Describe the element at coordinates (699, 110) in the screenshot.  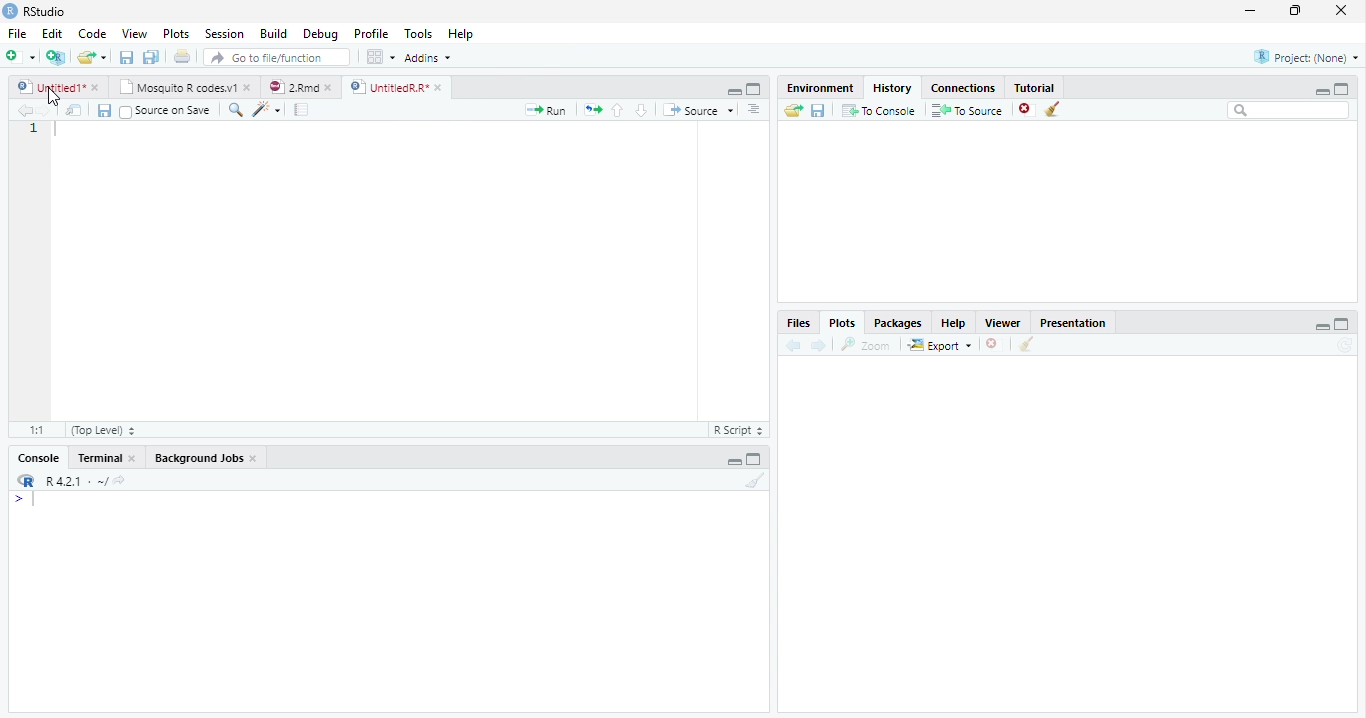
I see `Source` at that location.